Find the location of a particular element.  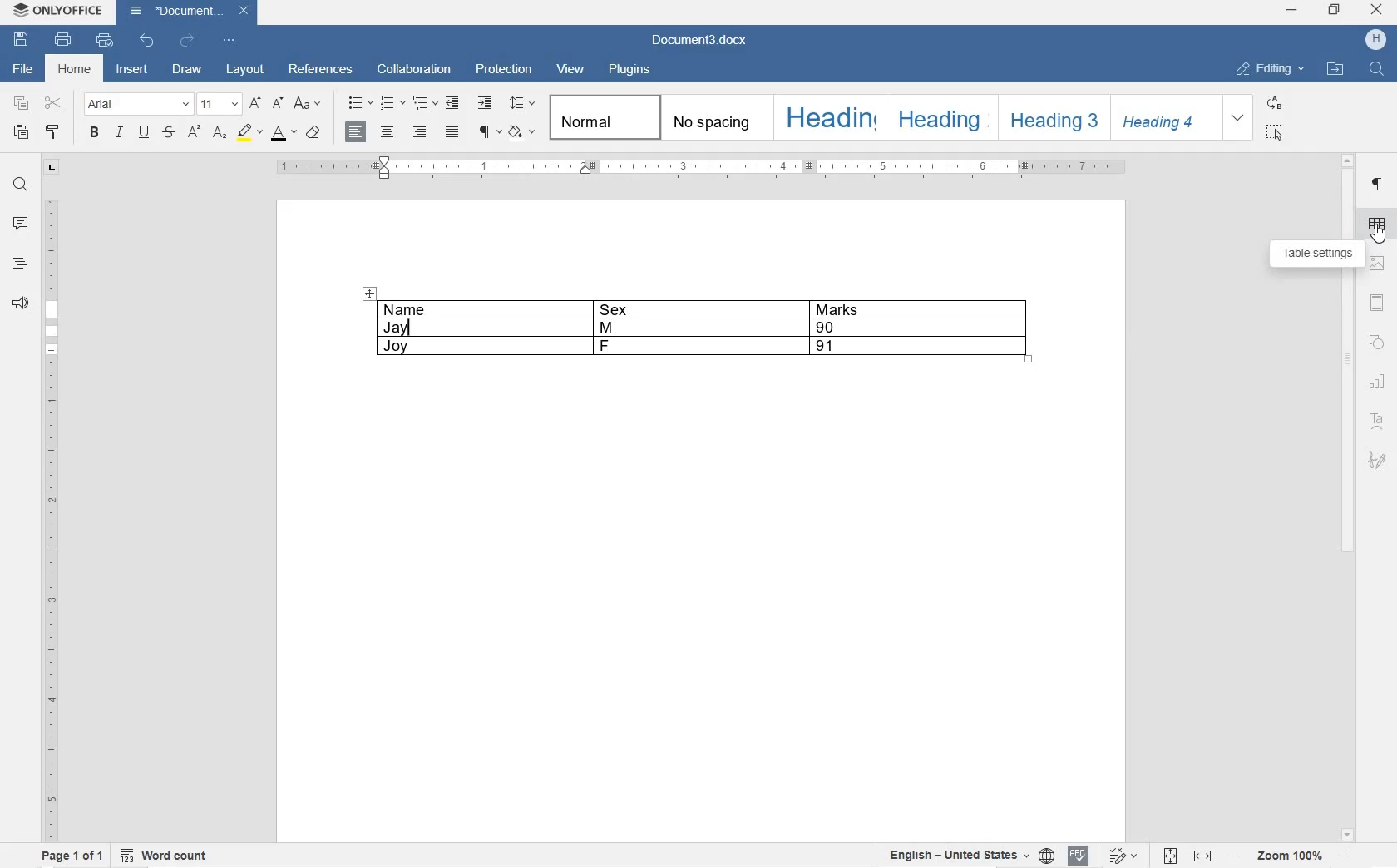

COPY STYLE is located at coordinates (314, 134).